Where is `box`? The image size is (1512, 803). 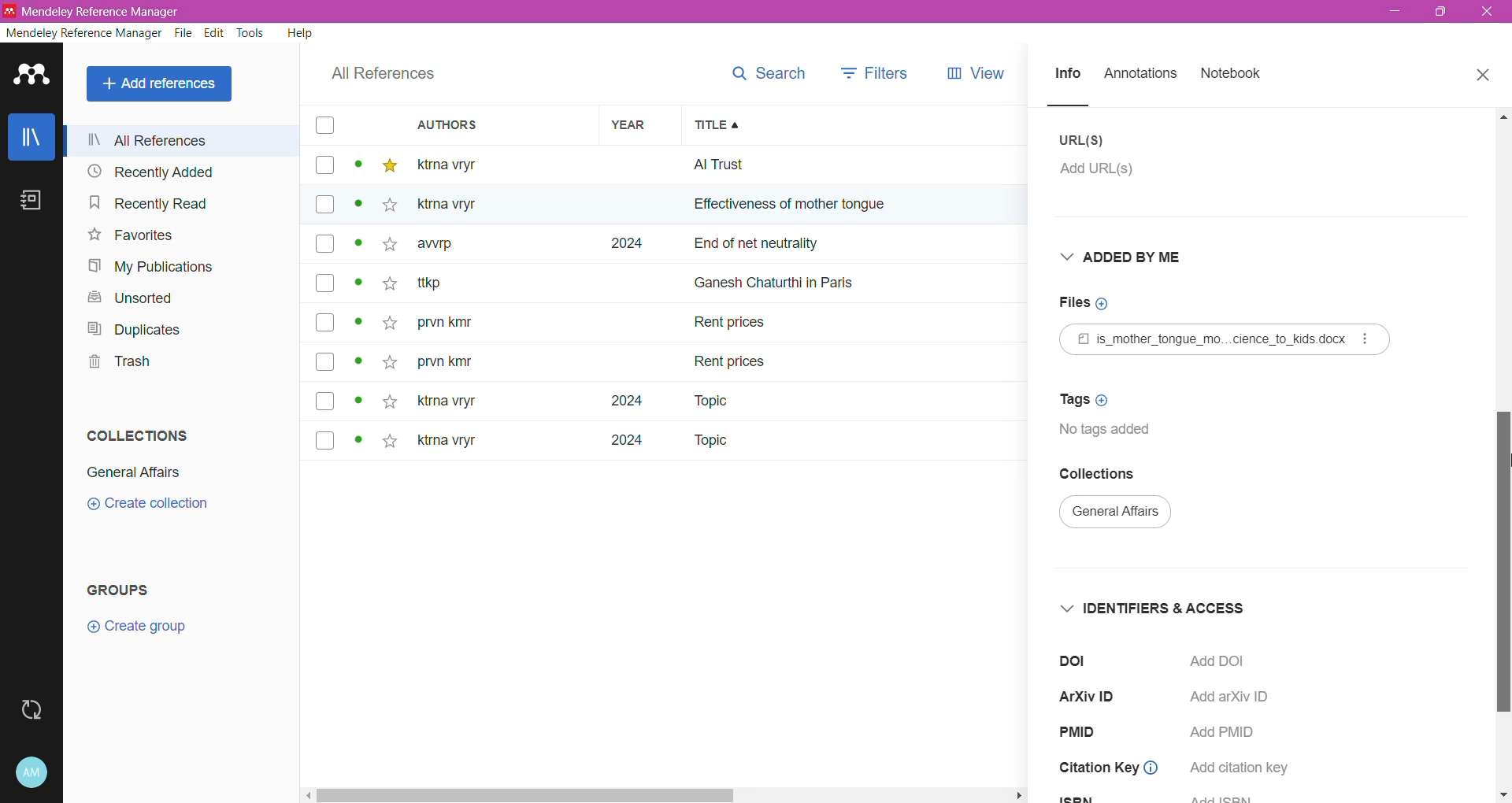 box is located at coordinates (324, 283).